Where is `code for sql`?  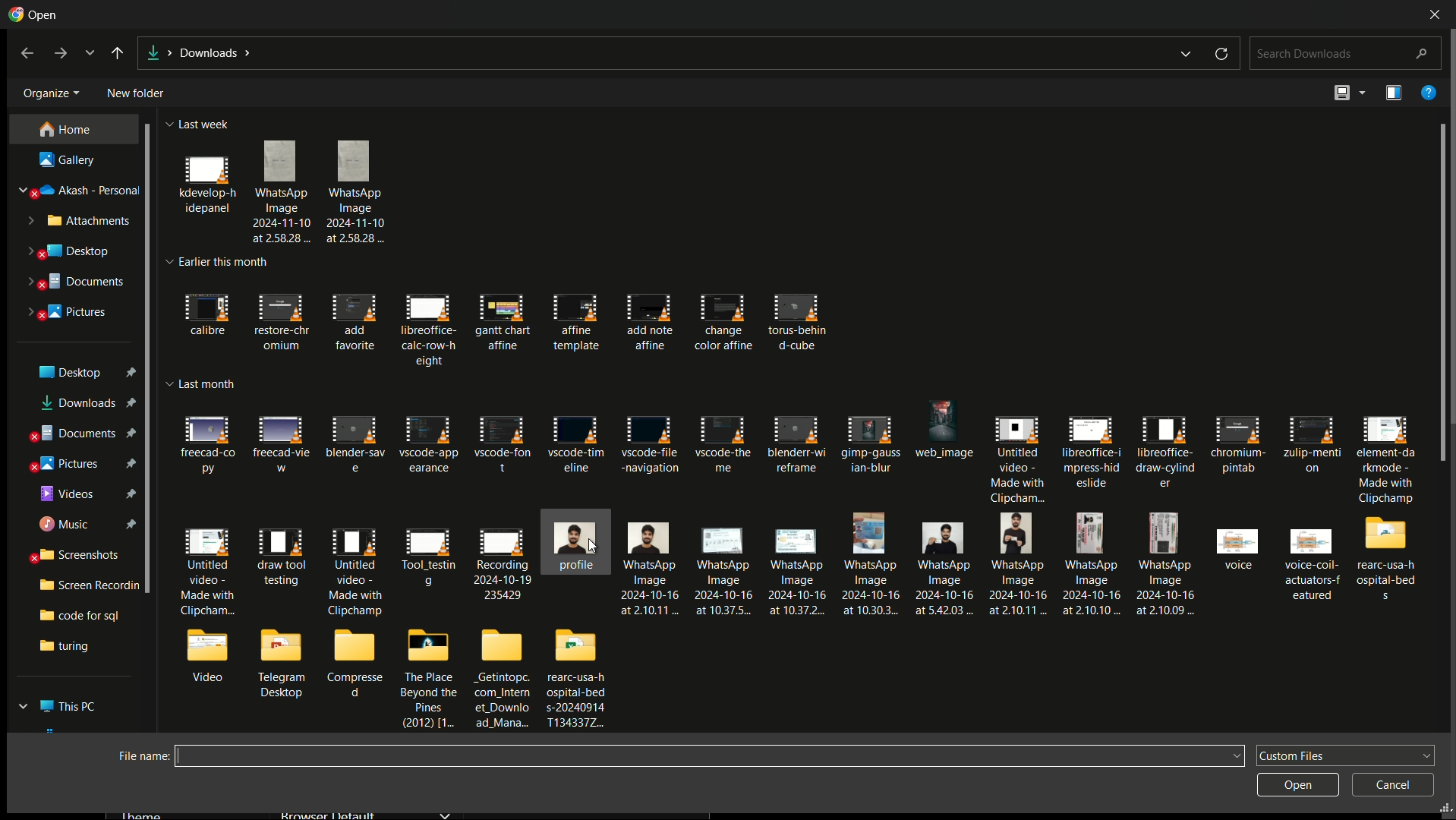
code for sql is located at coordinates (78, 616).